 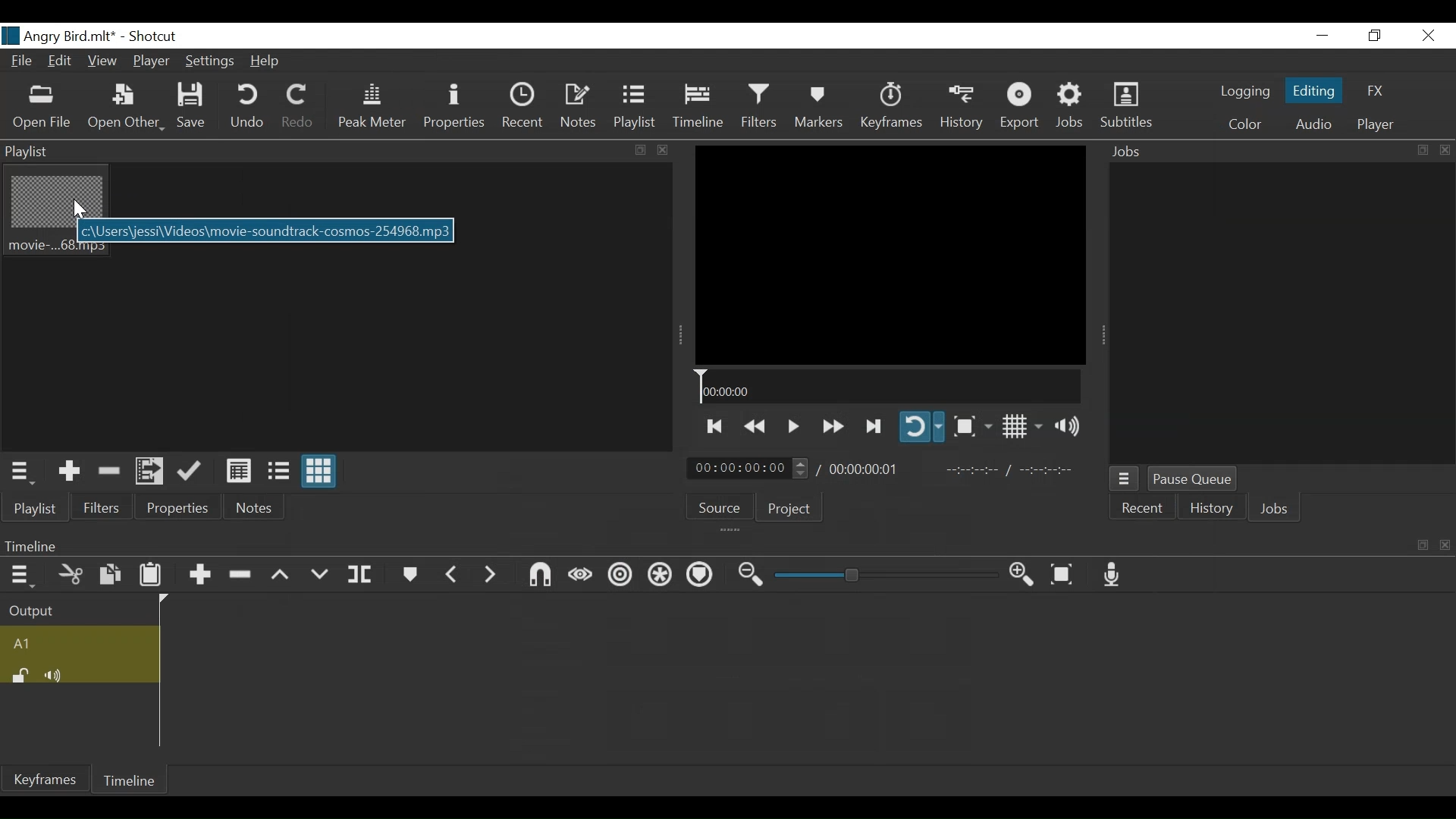 I want to click on In point, so click(x=1009, y=472).